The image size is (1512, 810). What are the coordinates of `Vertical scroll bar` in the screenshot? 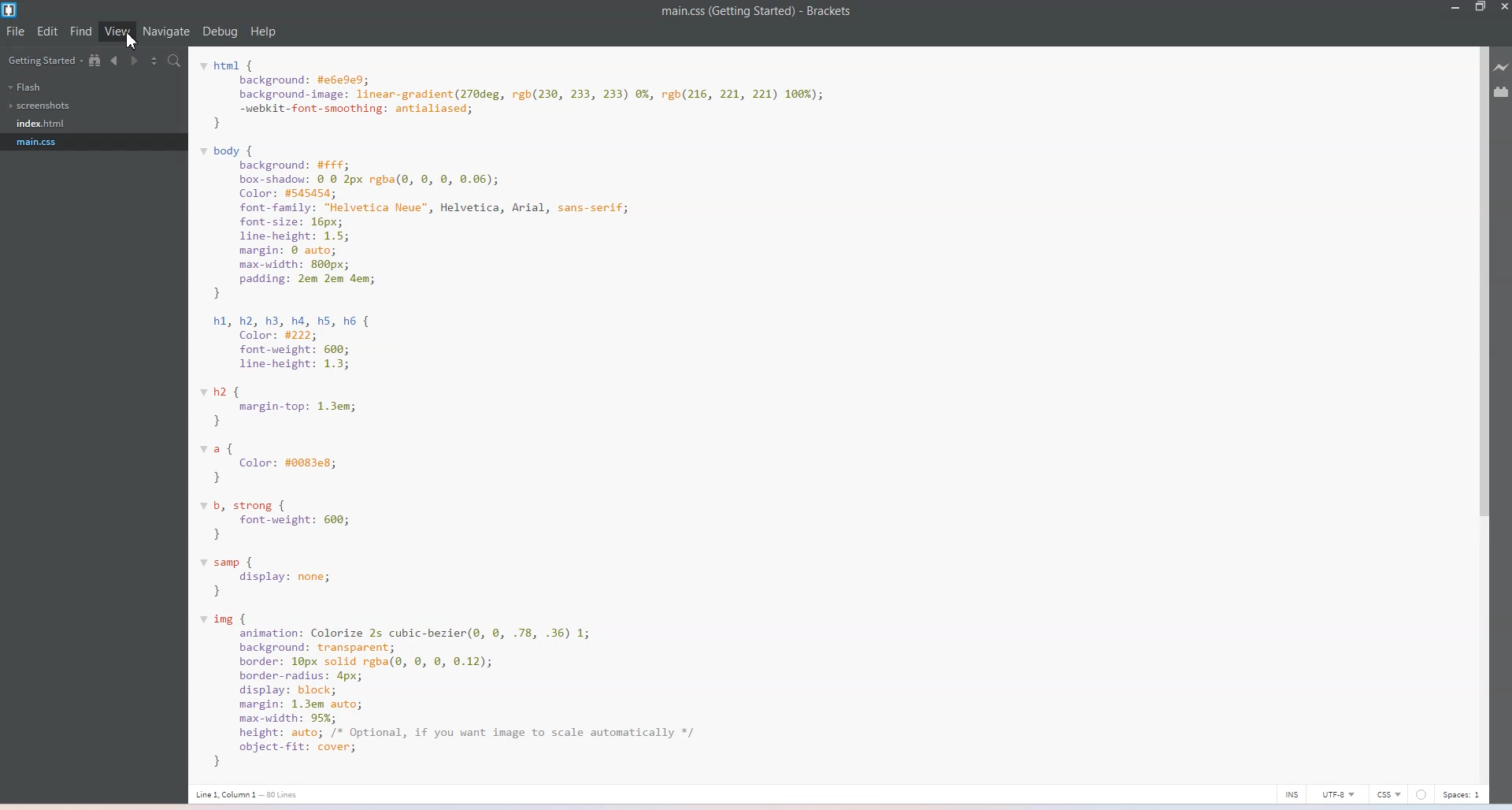 It's located at (1478, 408).